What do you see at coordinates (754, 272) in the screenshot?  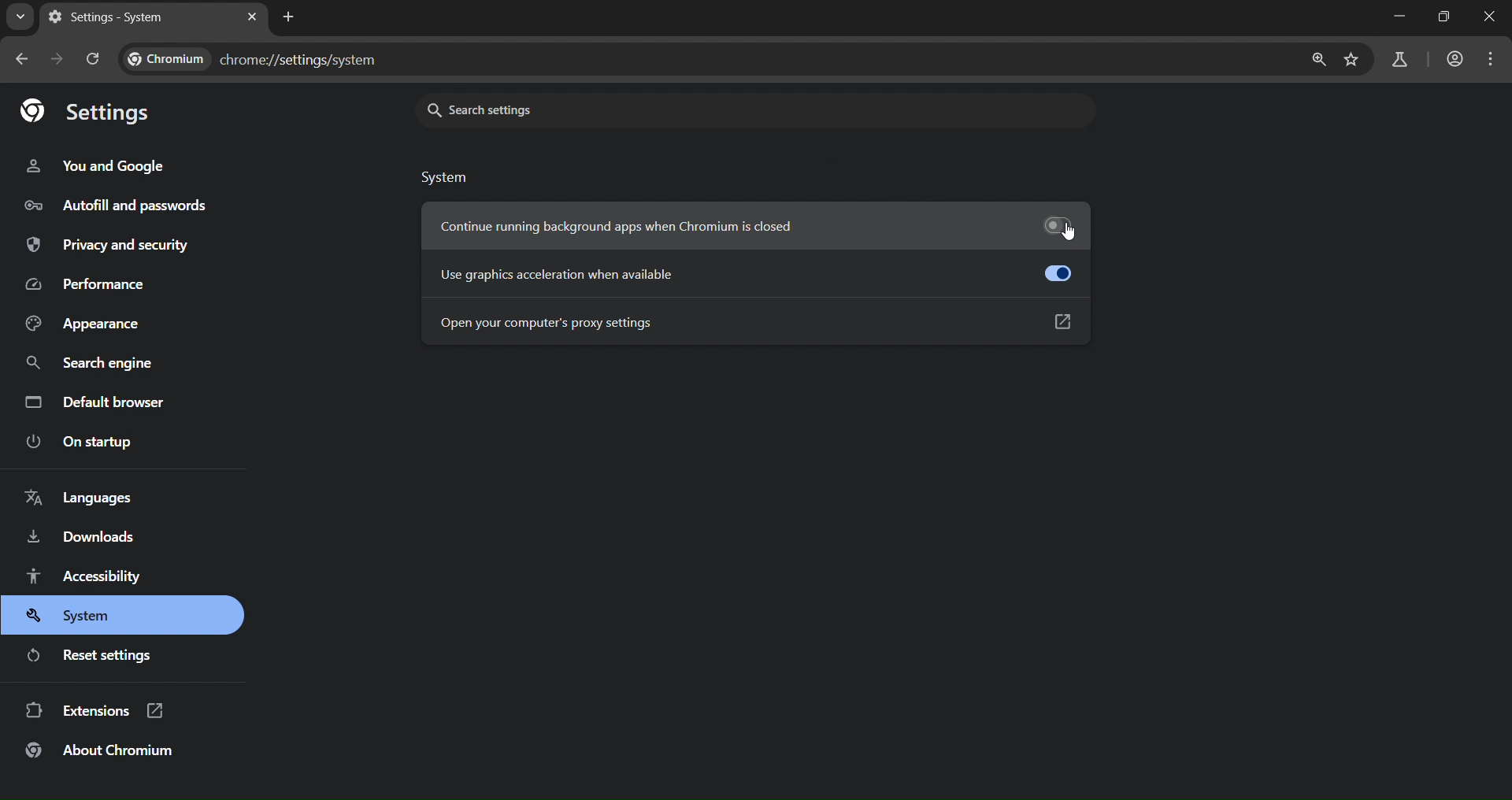 I see `use acceleration when available` at bounding box center [754, 272].